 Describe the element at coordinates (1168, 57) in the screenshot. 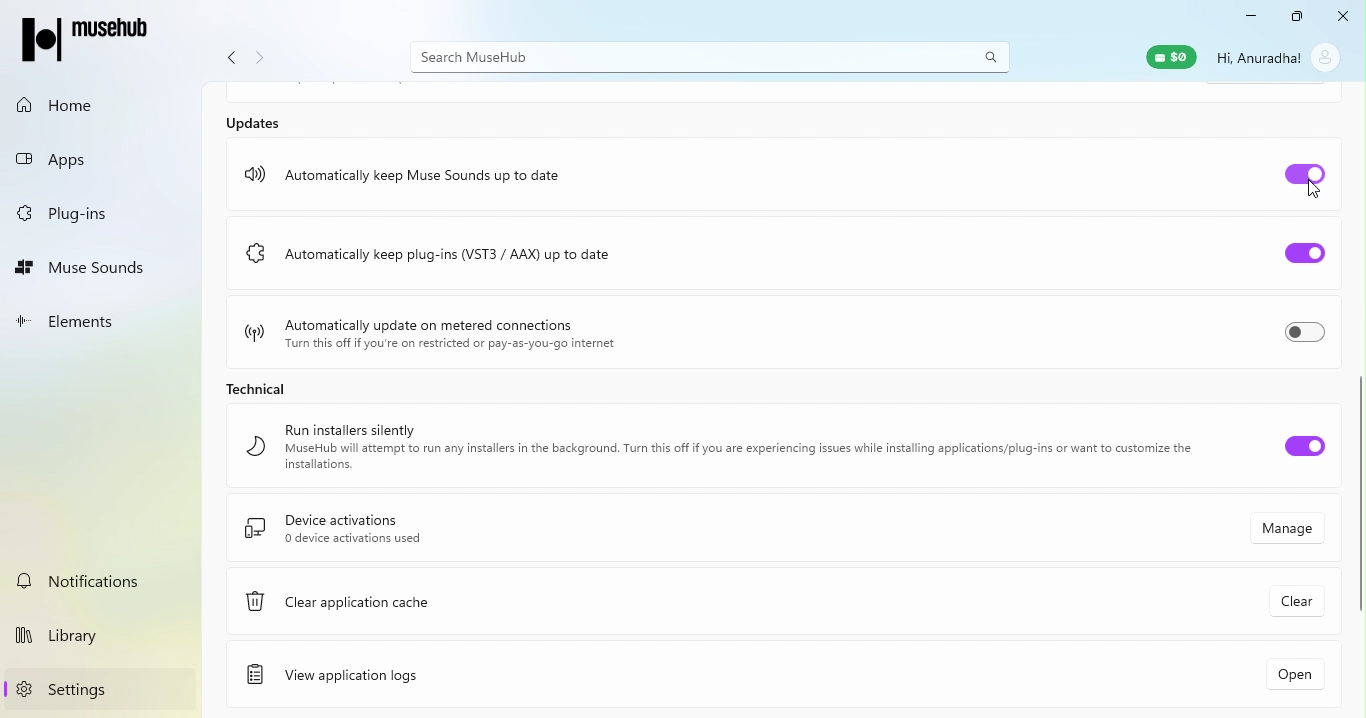

I see `Muse wallet` at that location.